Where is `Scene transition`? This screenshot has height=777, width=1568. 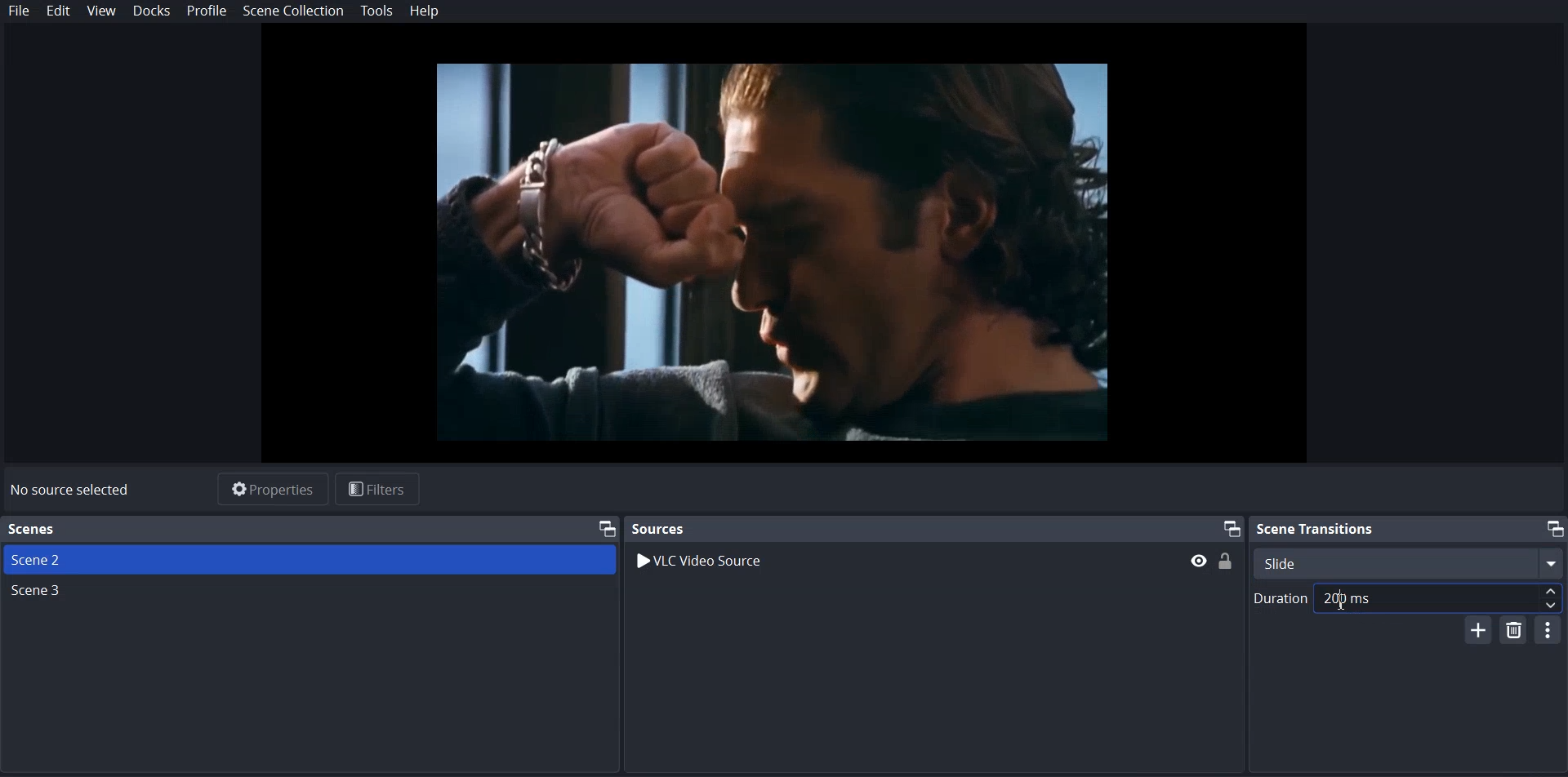 Scene transition is located at coordinates (1409, 527).